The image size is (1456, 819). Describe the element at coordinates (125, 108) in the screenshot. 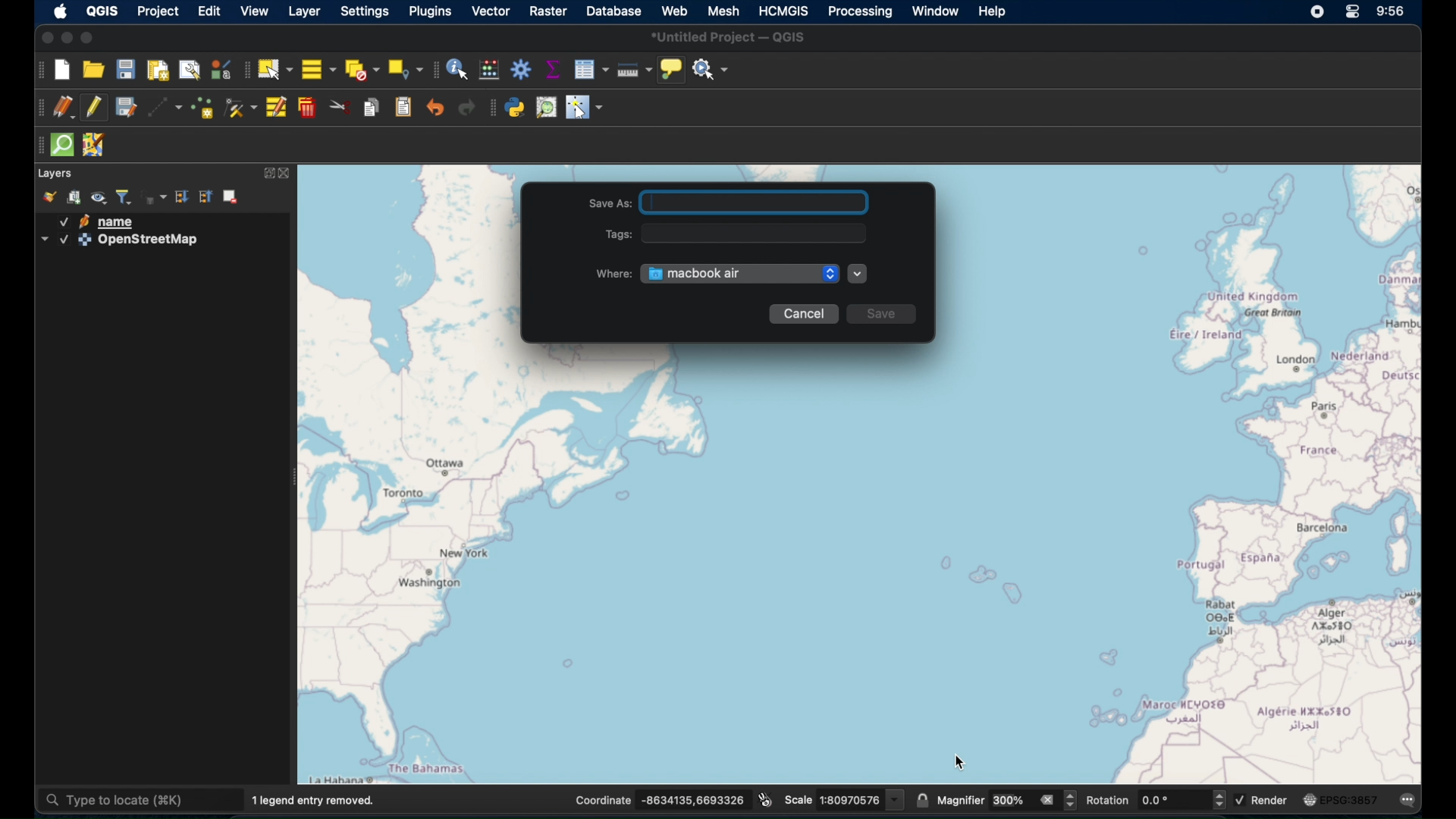

I see `save edits` at that location.